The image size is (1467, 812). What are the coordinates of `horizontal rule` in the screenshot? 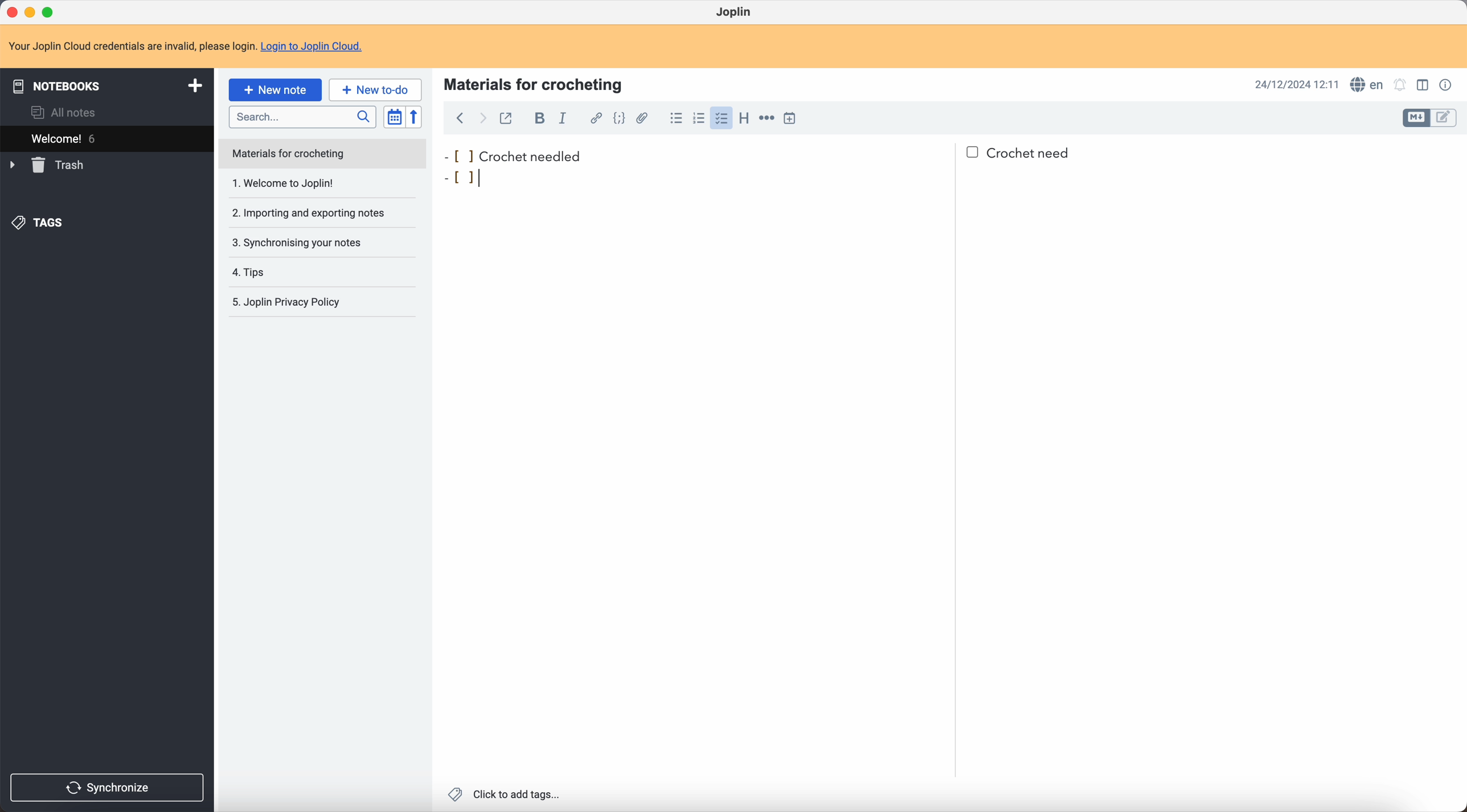 It's located at (766, 120).